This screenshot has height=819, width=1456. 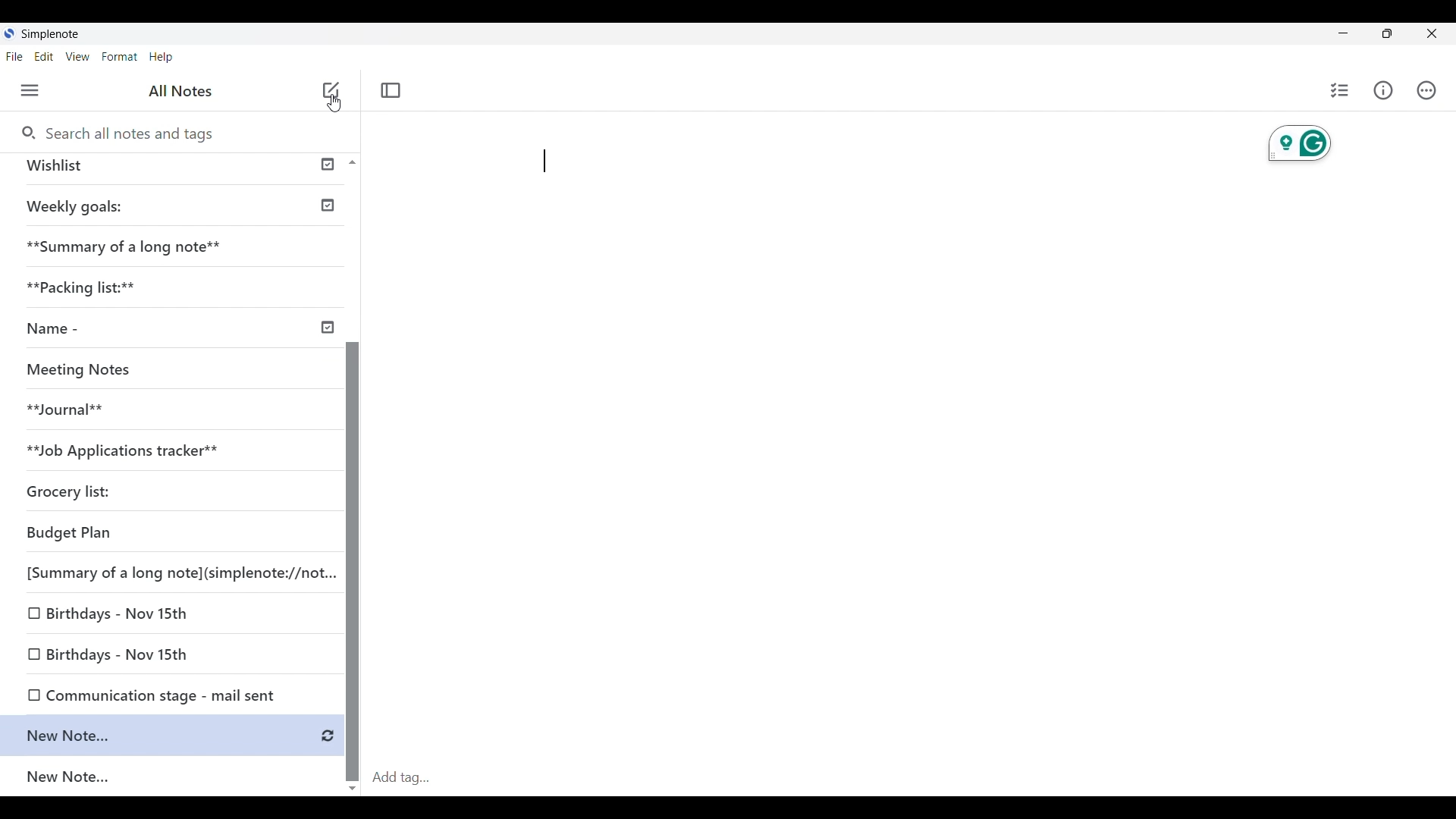 I want to click on Quick slide to bottom, so click(x=352, y=789).